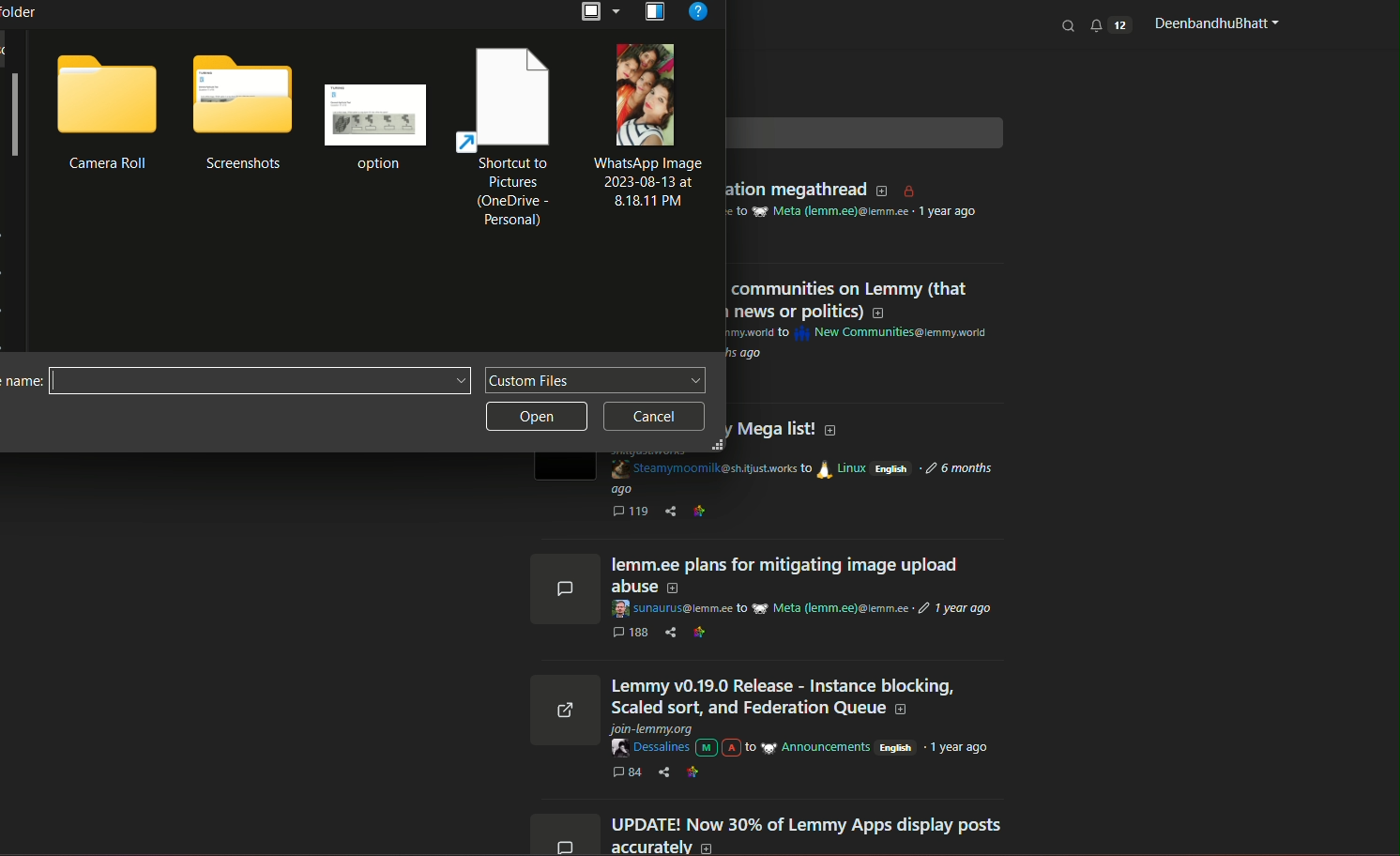 The width and height of the screenshot is (1400, 856). Describe the element at coordinates (510, 99) in the screenshot. I see `page` at that location.